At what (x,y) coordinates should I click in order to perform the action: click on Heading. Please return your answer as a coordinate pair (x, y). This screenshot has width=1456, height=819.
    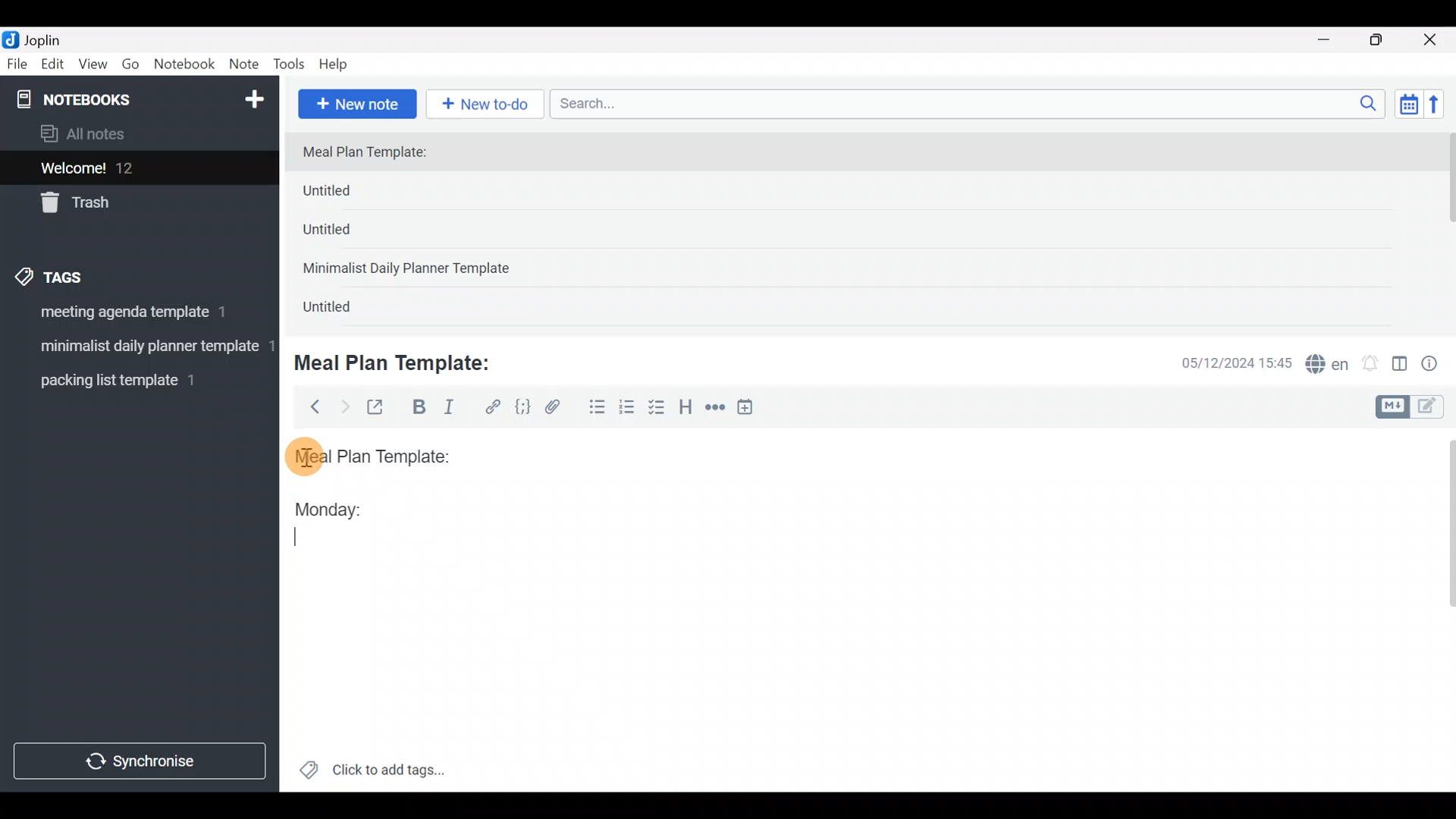
    Looking at the image, I should click on (686, 409).